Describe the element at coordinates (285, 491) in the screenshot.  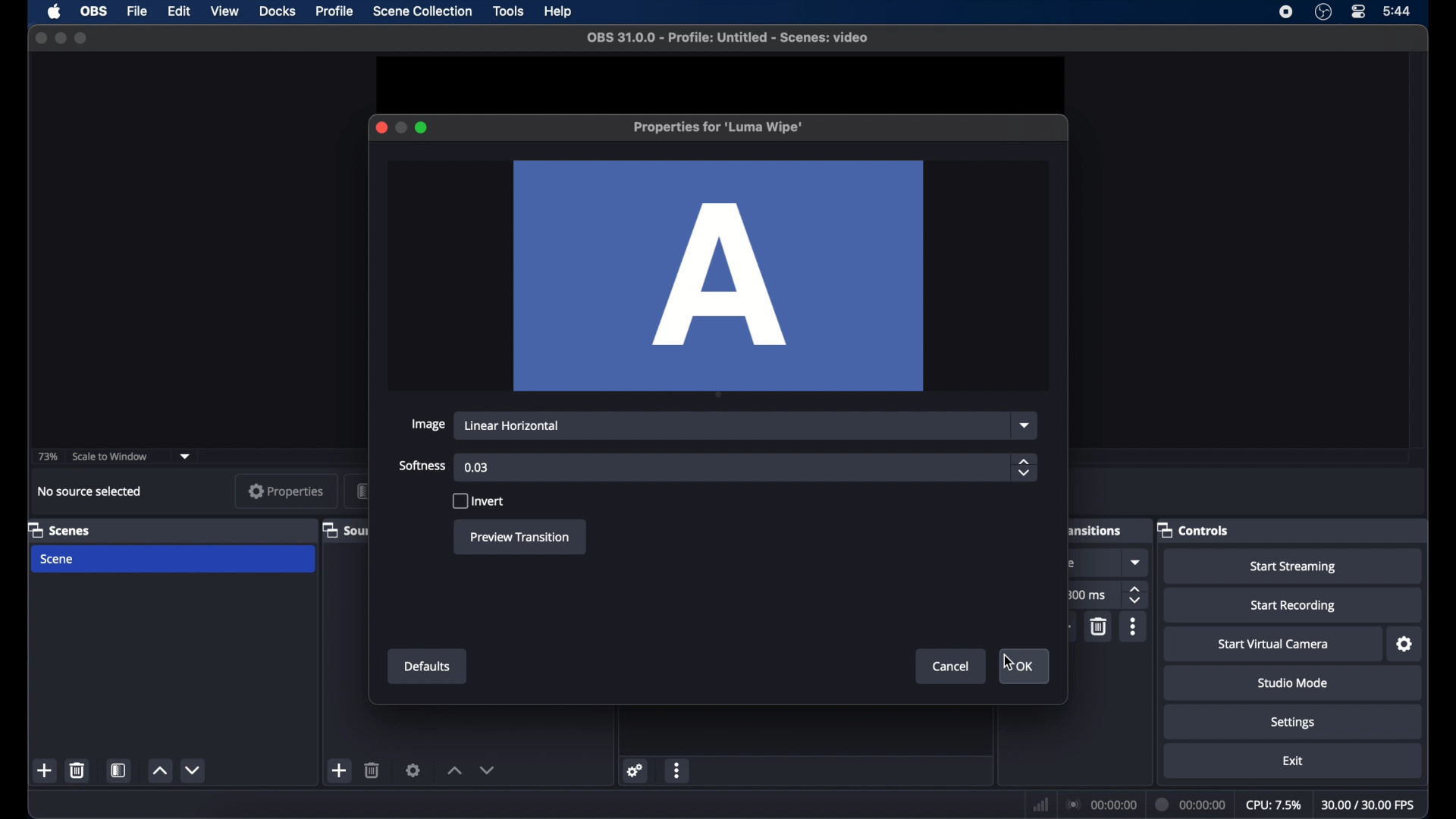
I see `properties` at that location.